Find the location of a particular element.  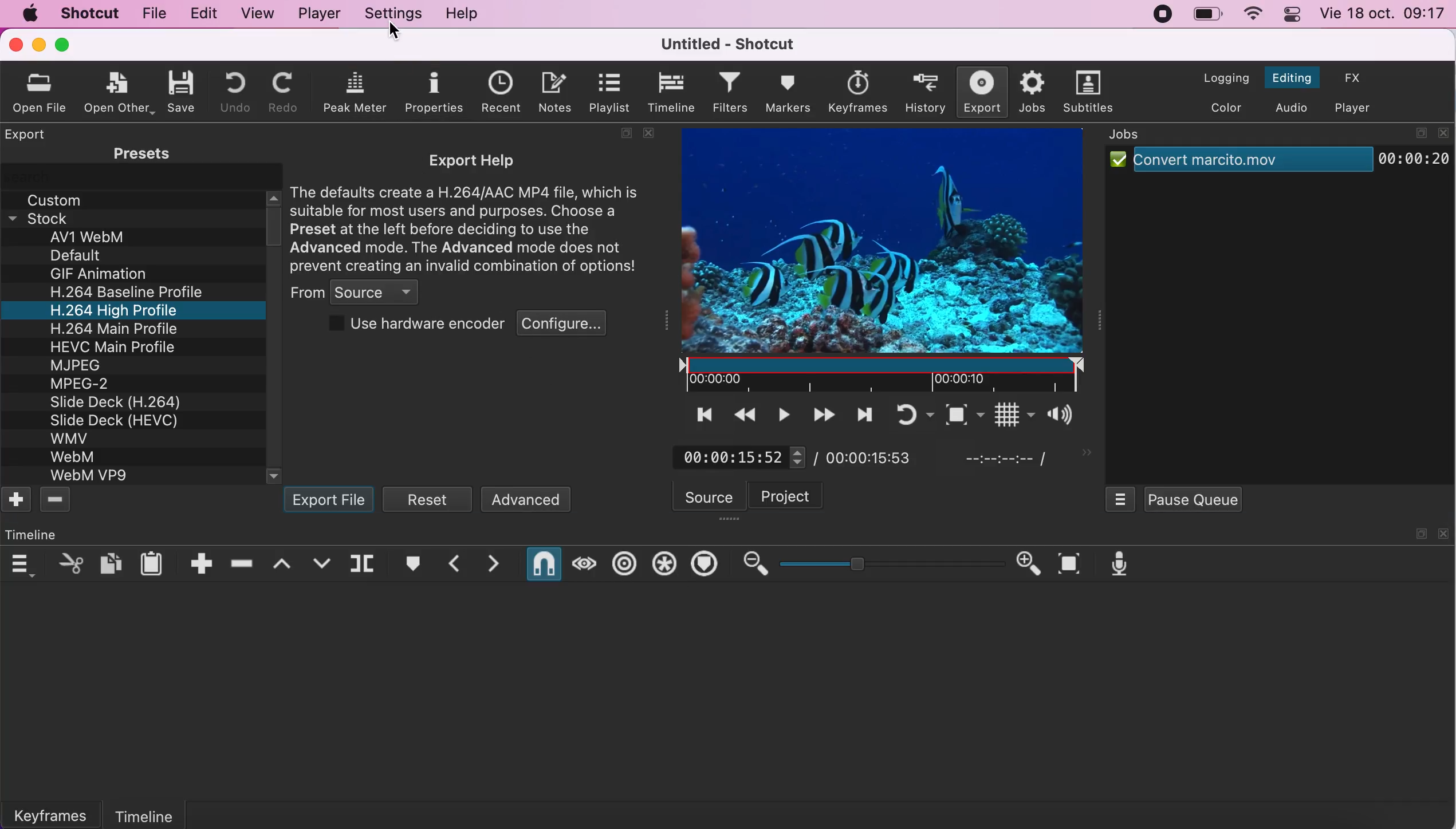

delete is located at coordinates (58, 501).